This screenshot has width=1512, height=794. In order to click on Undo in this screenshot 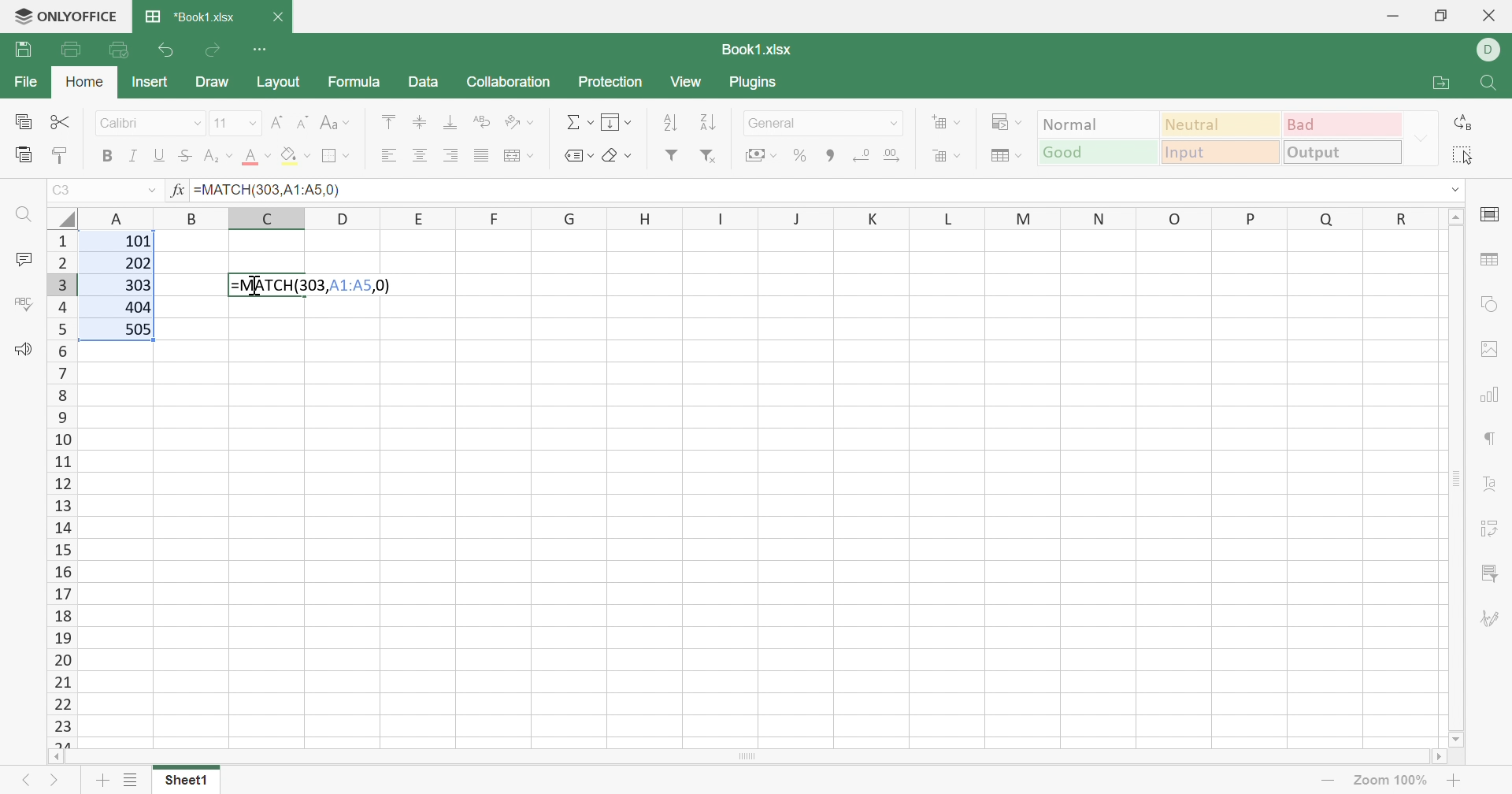, I will do `click(164, 47)`.